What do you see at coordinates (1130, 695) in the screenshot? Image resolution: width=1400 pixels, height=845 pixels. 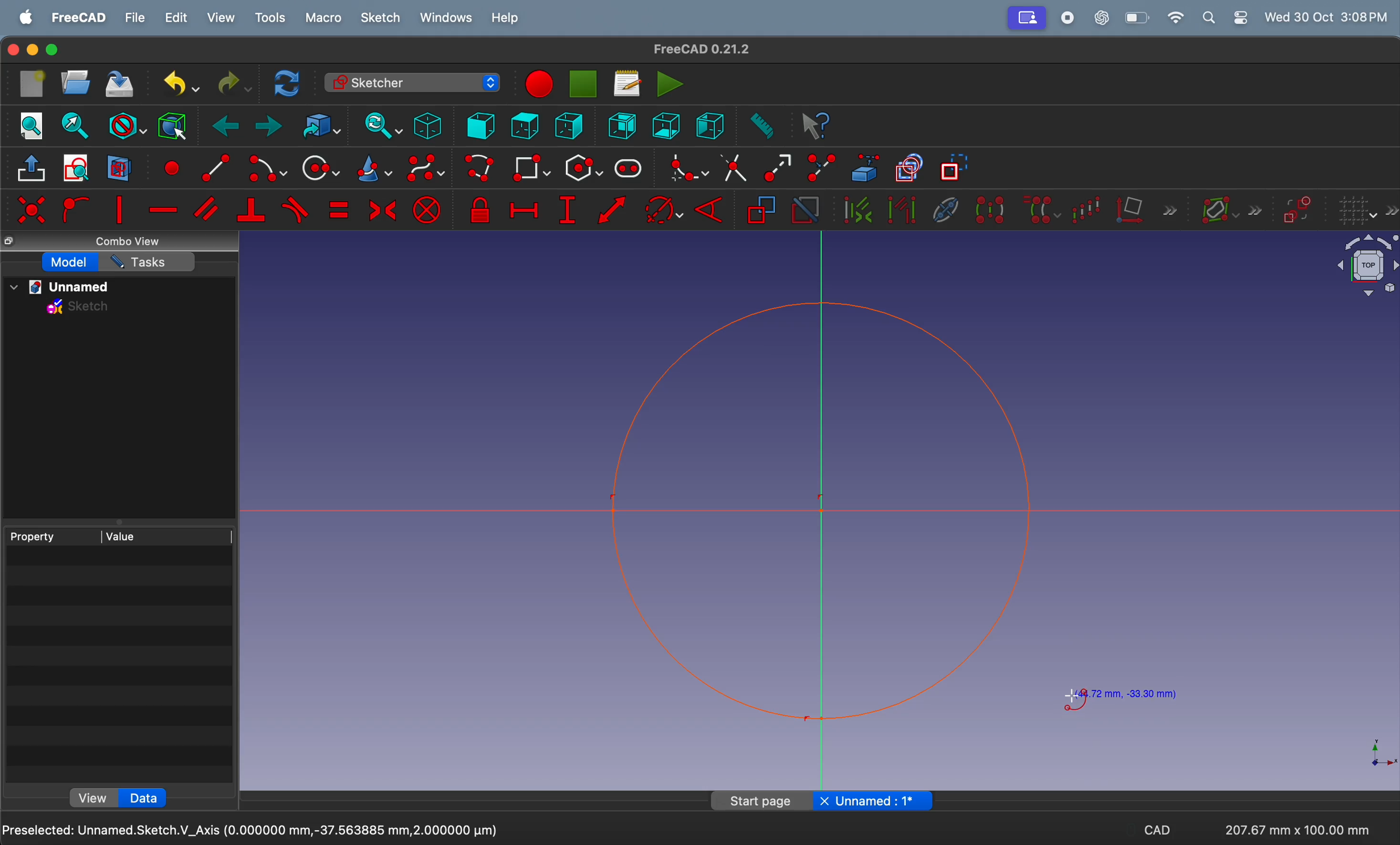 I see `(44.72 mm, -33.30 mm)` at bounding box center [1130, 695].